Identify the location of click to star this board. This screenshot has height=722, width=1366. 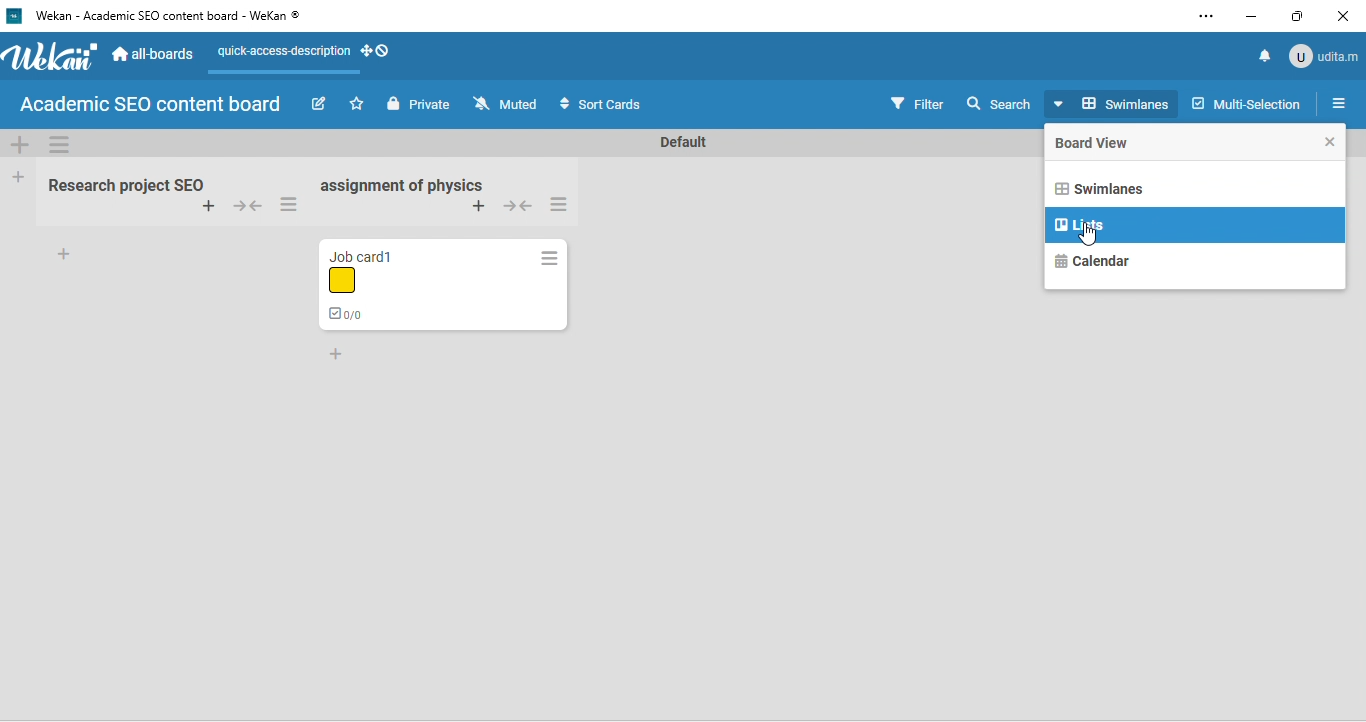
(357, 104).